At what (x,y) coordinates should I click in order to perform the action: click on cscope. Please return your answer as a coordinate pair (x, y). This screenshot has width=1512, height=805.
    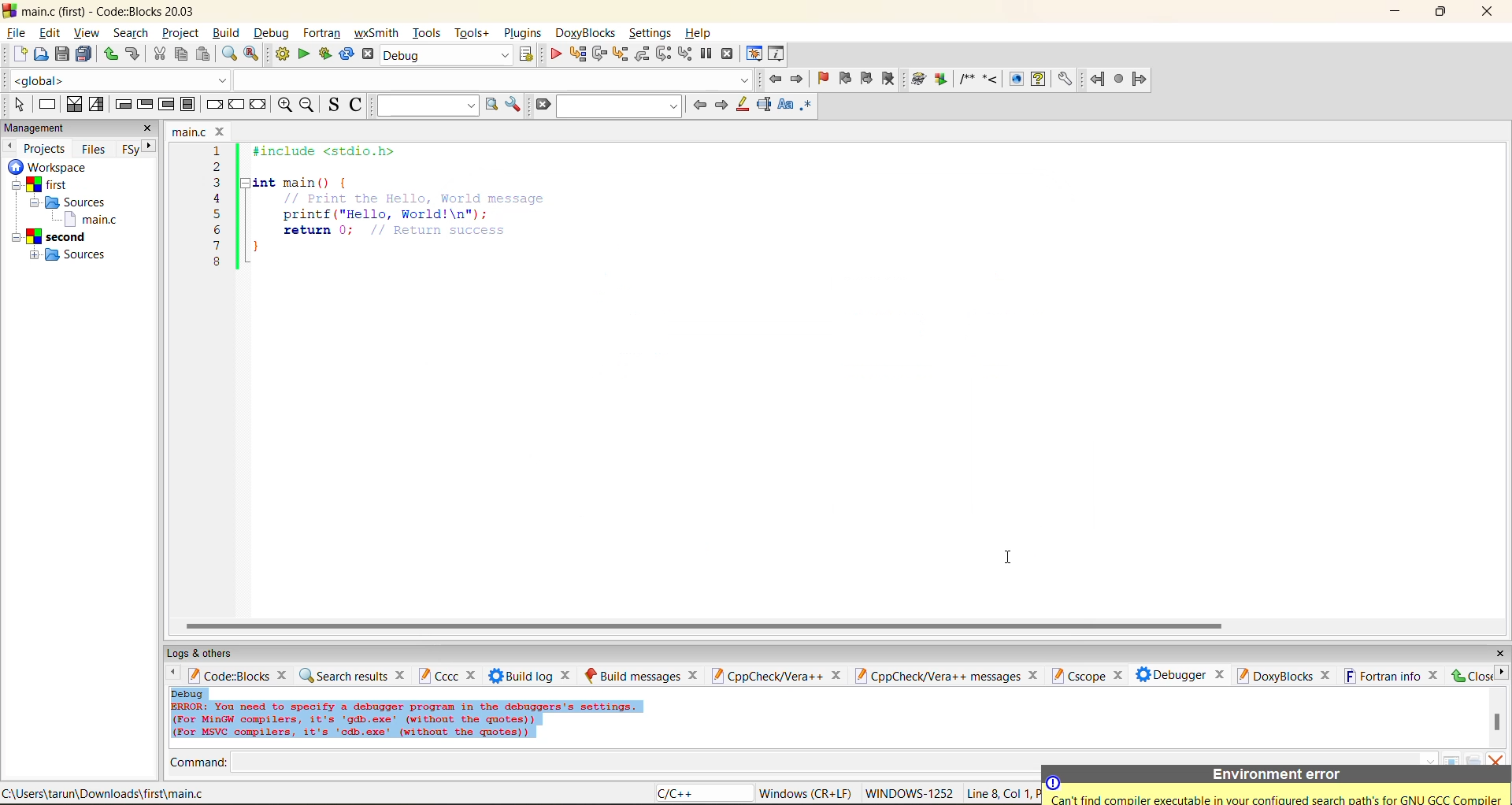
    Looking at the image, I should click on (1077, 674).